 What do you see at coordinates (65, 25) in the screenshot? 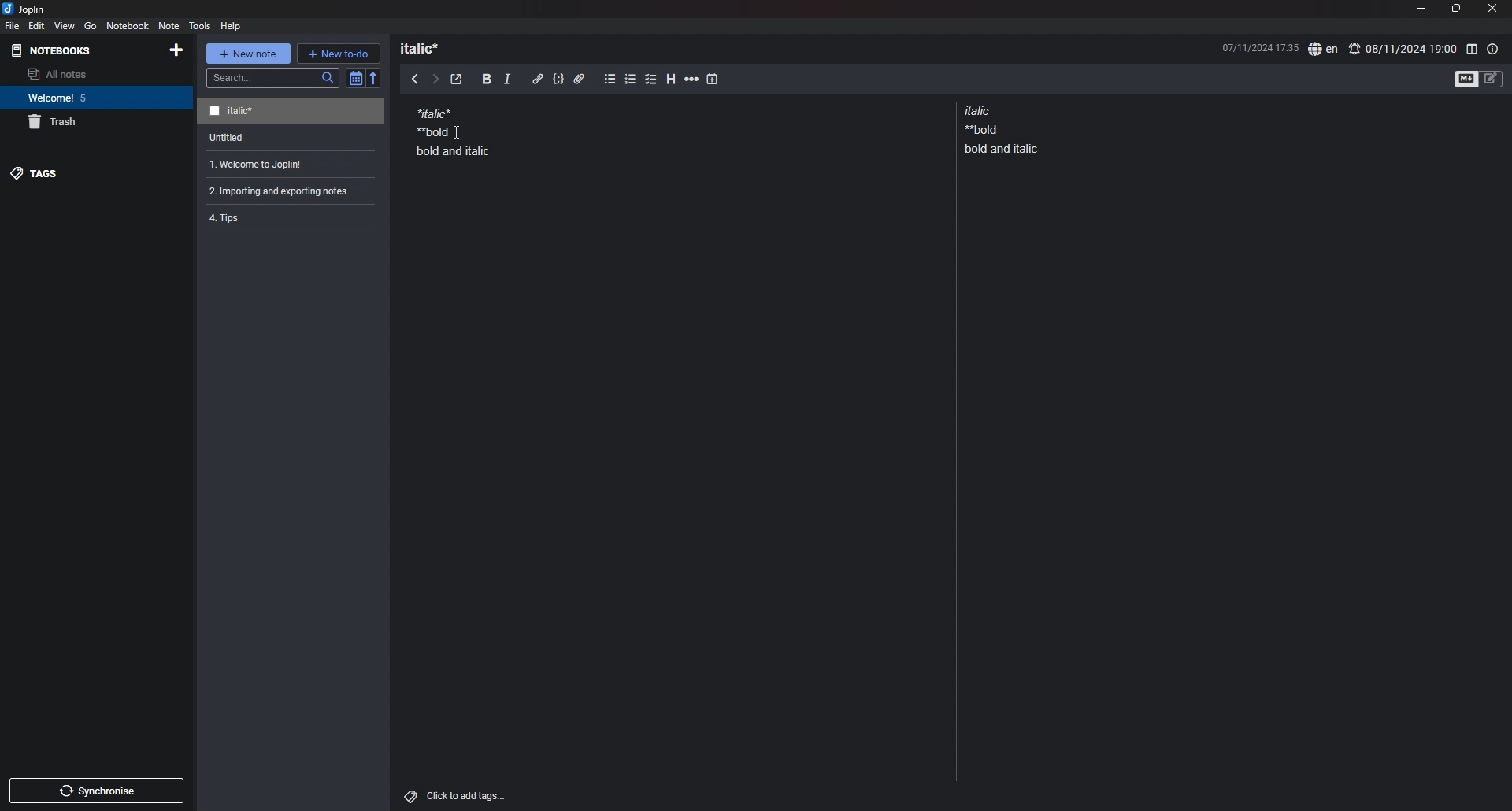
I see `view` at bounding box center [65, 25].